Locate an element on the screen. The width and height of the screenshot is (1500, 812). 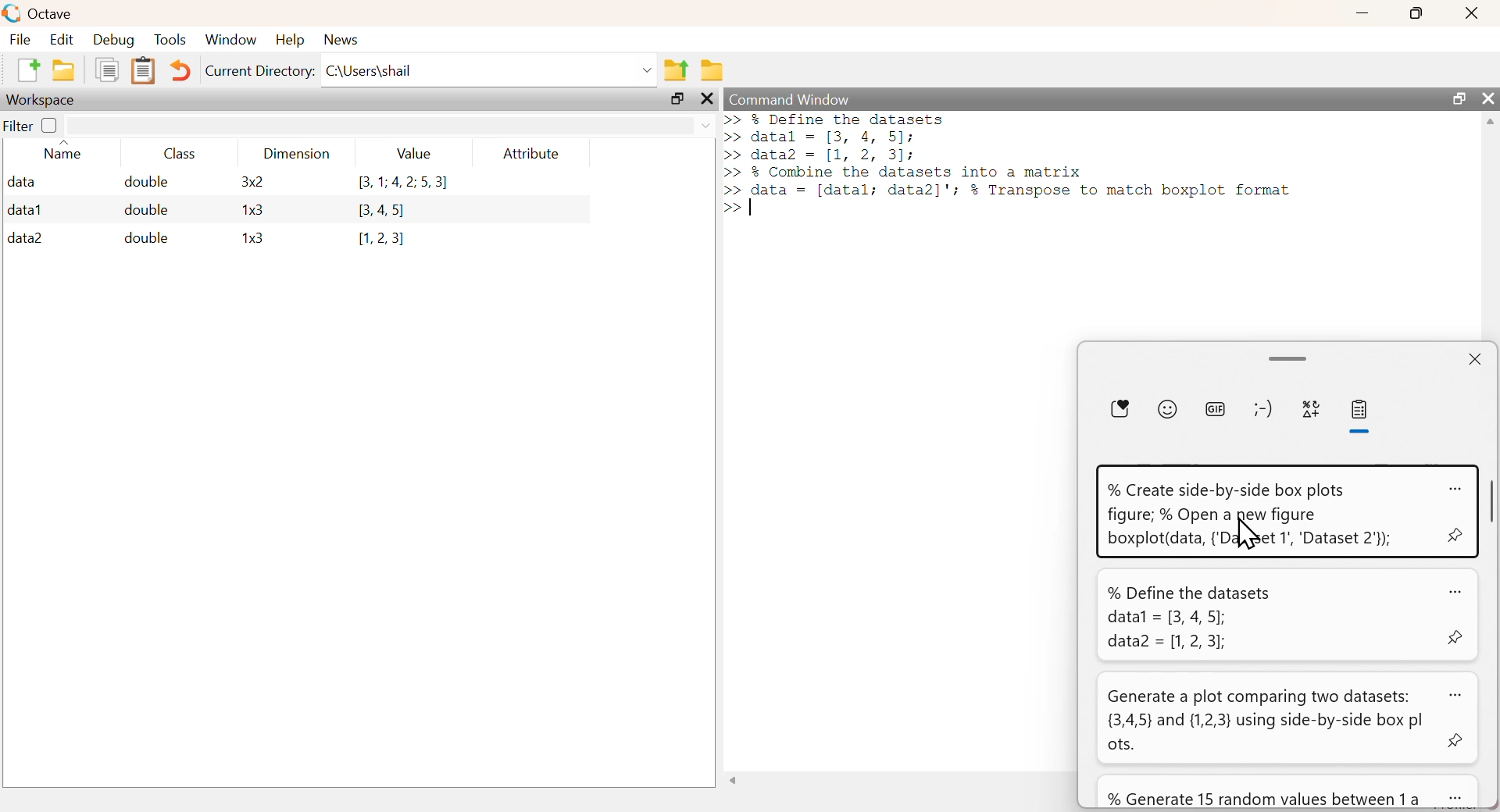
double is located at coordinates (144, 182).